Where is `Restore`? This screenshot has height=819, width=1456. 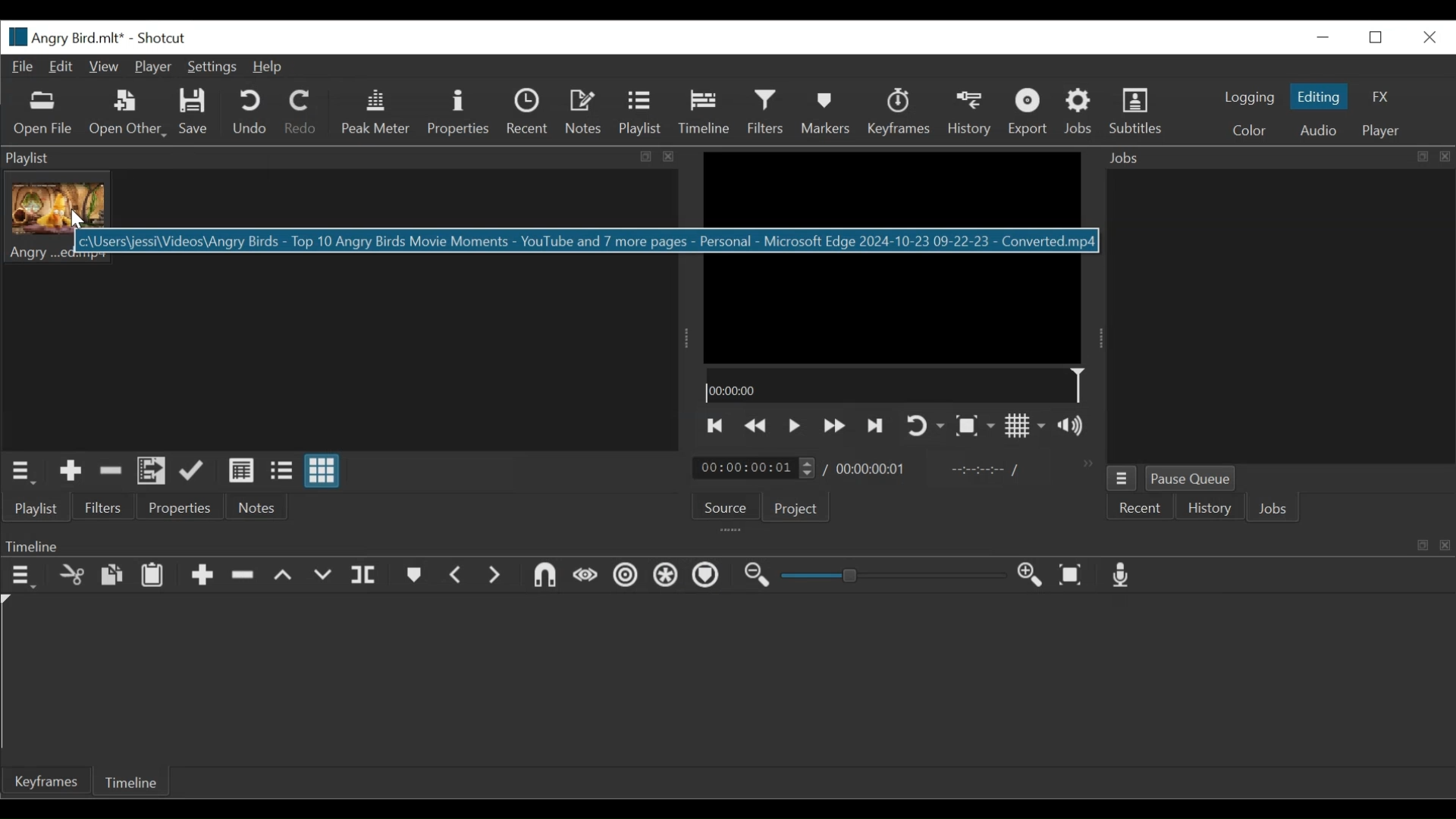
Restore is located at coordinates (1376, 37).